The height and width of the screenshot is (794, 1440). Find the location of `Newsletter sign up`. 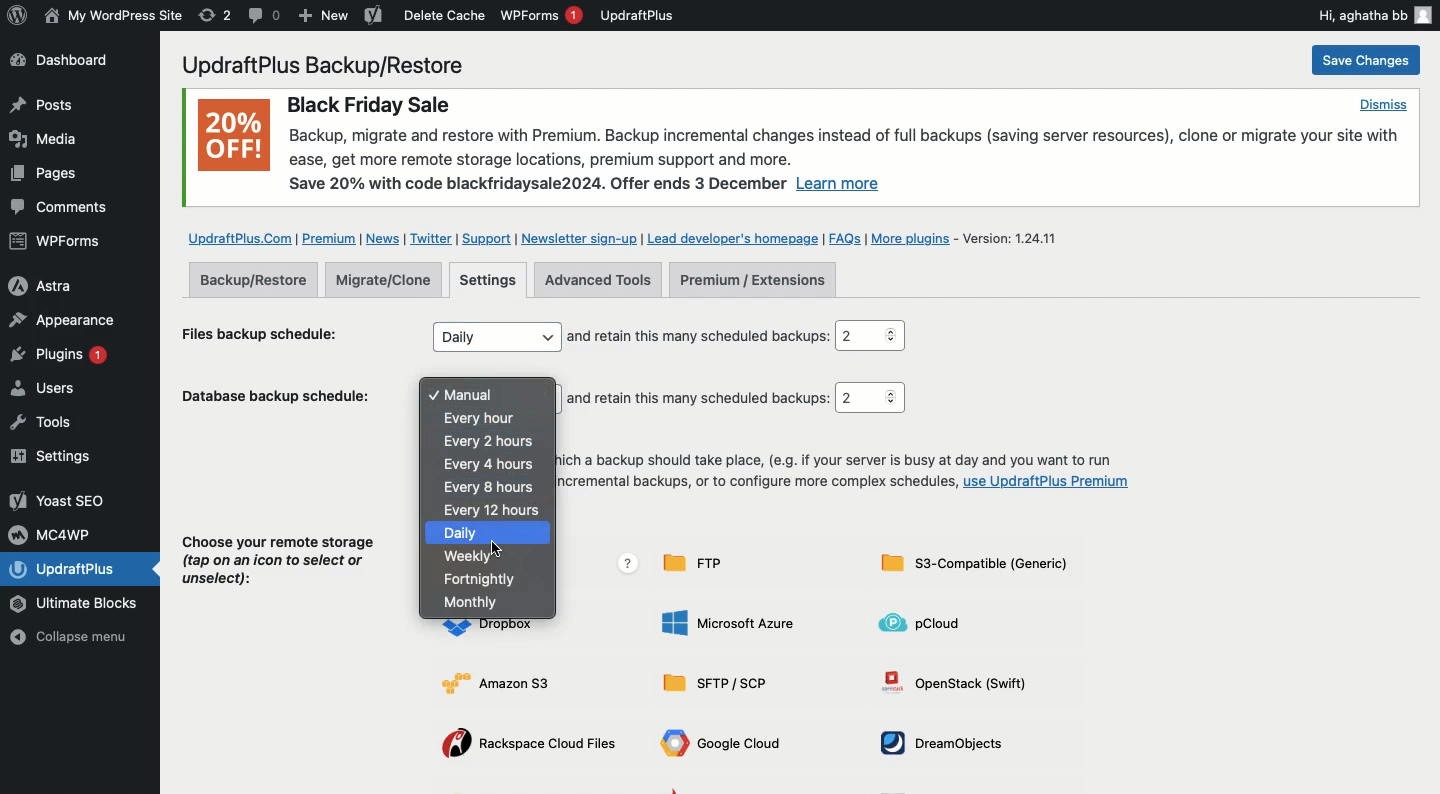

Newsletter sign up is located at coordinates (576, 238).